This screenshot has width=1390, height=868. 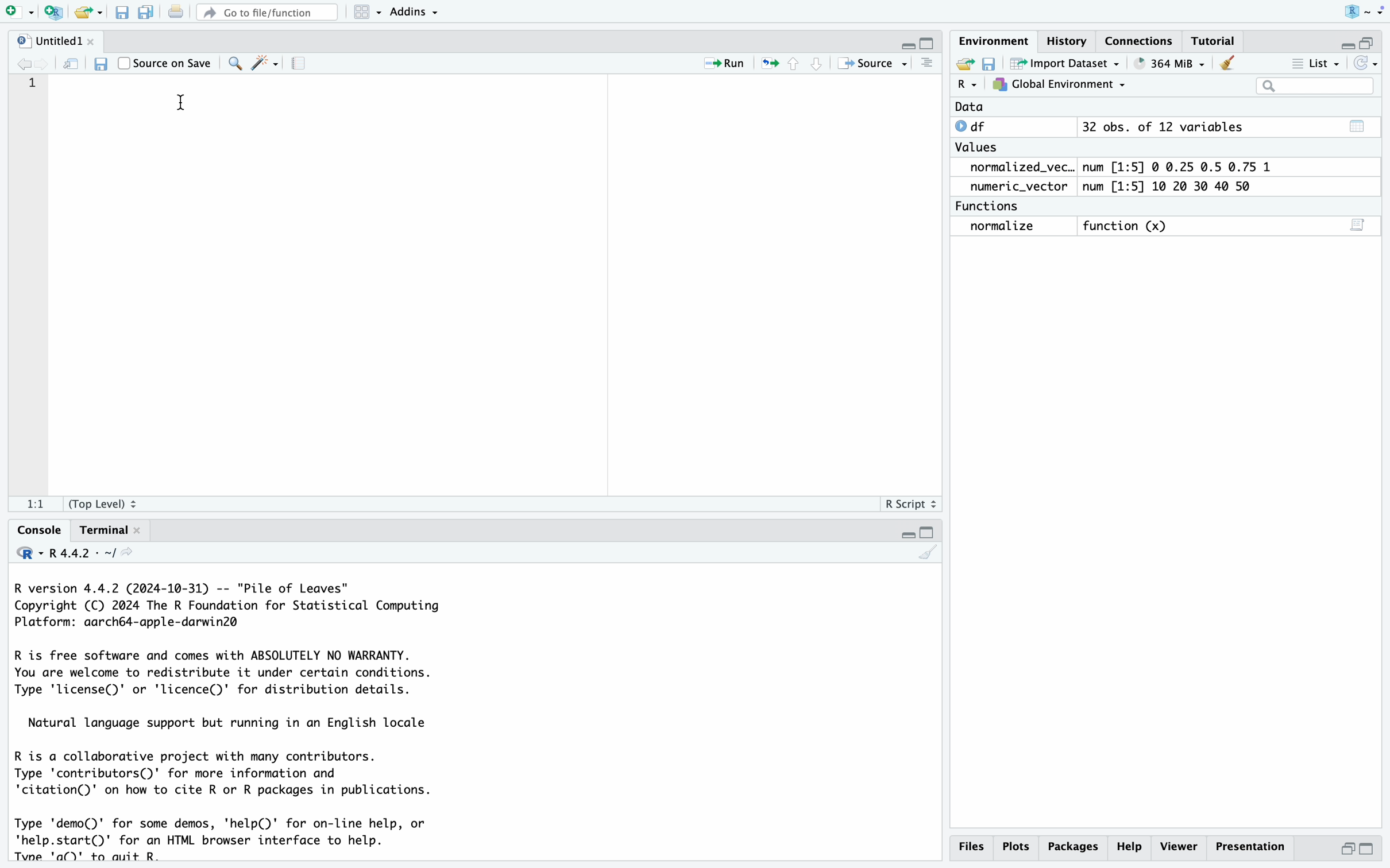 I want to click on normalized_vec, so click(x=1013, y=168).